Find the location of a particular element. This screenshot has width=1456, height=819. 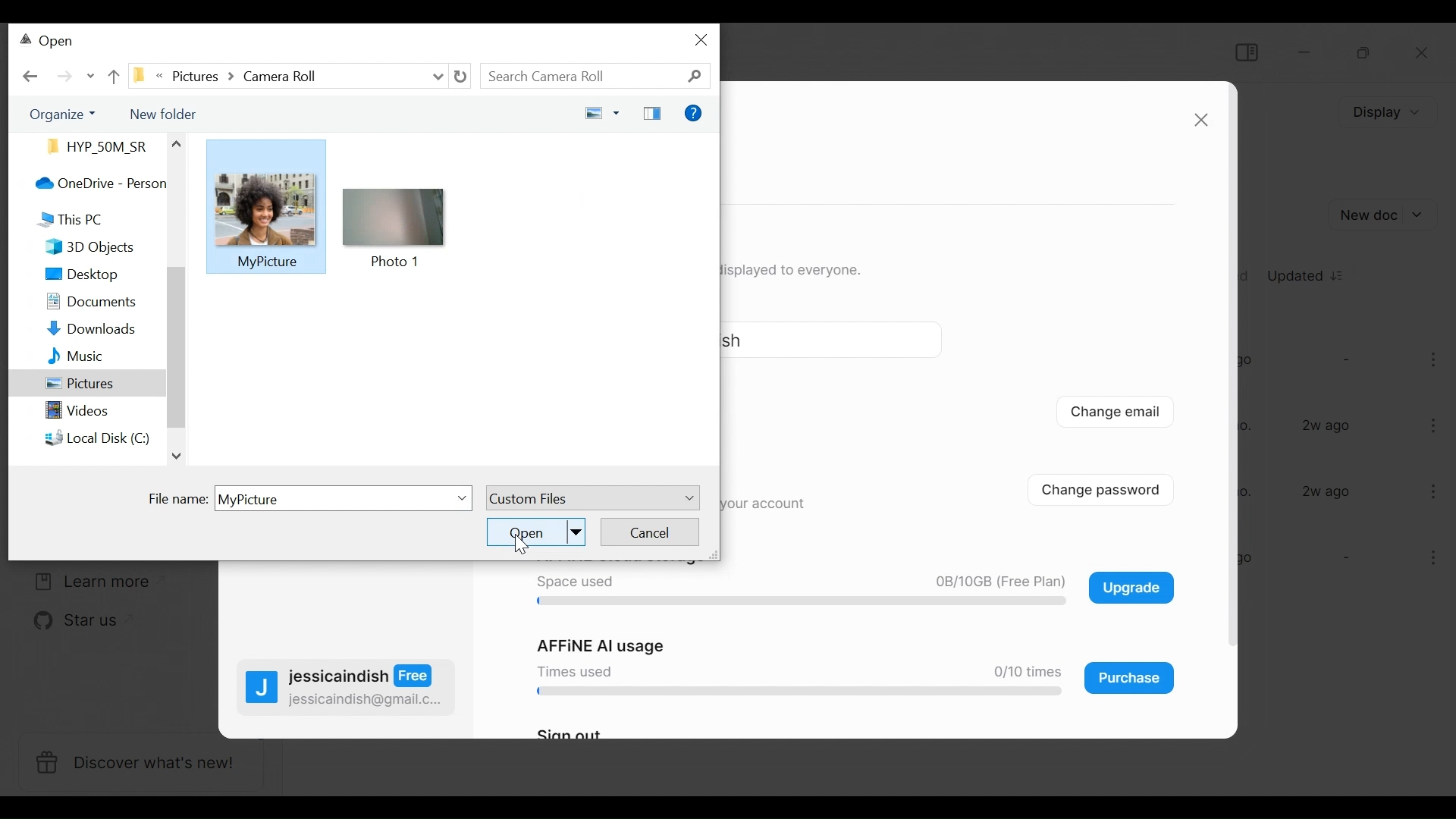

minimize is located at coordinates (1307, 52).